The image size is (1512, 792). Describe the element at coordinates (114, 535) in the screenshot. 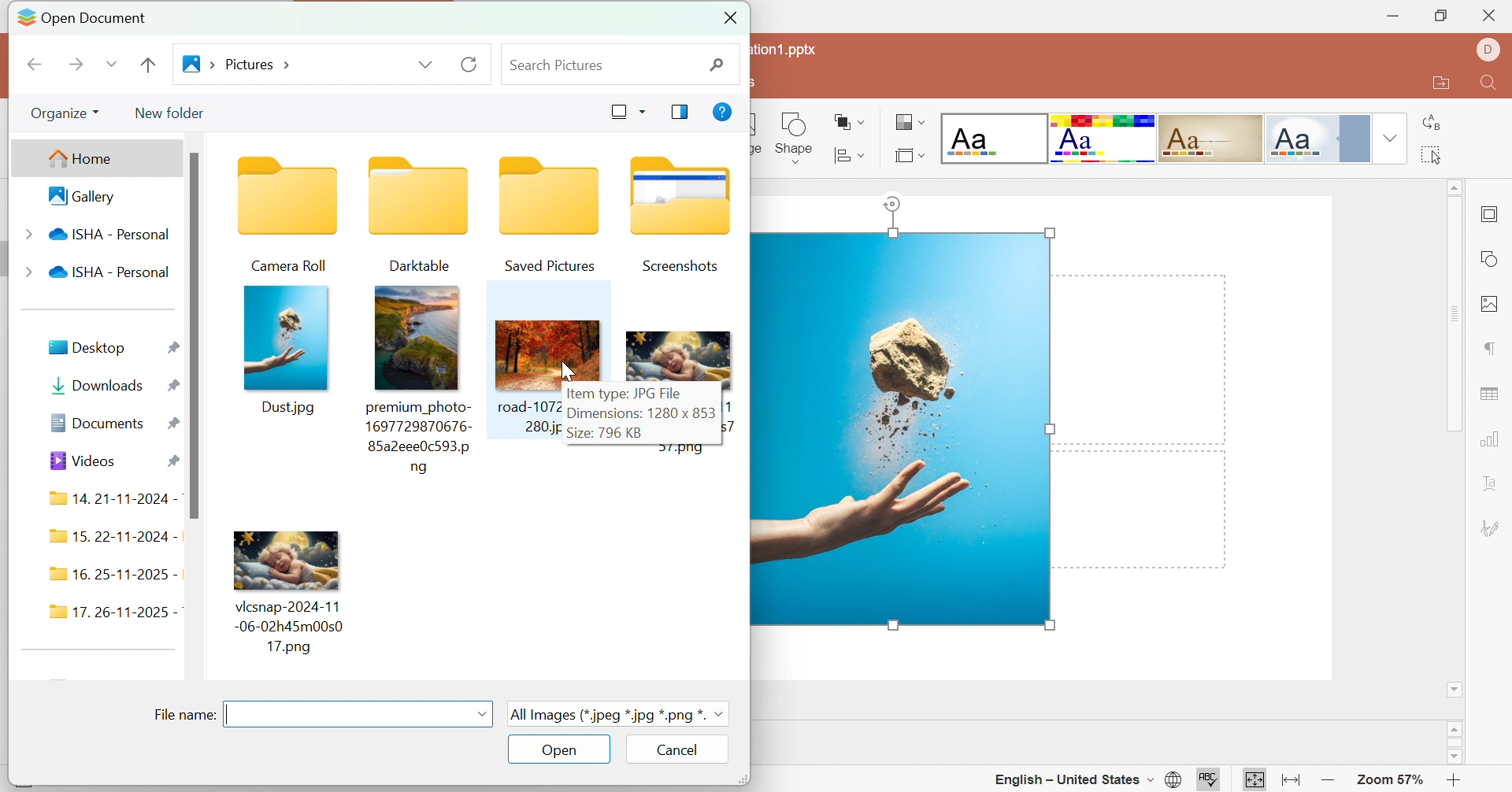

I see `15. 22-11-2024 -` at that location.